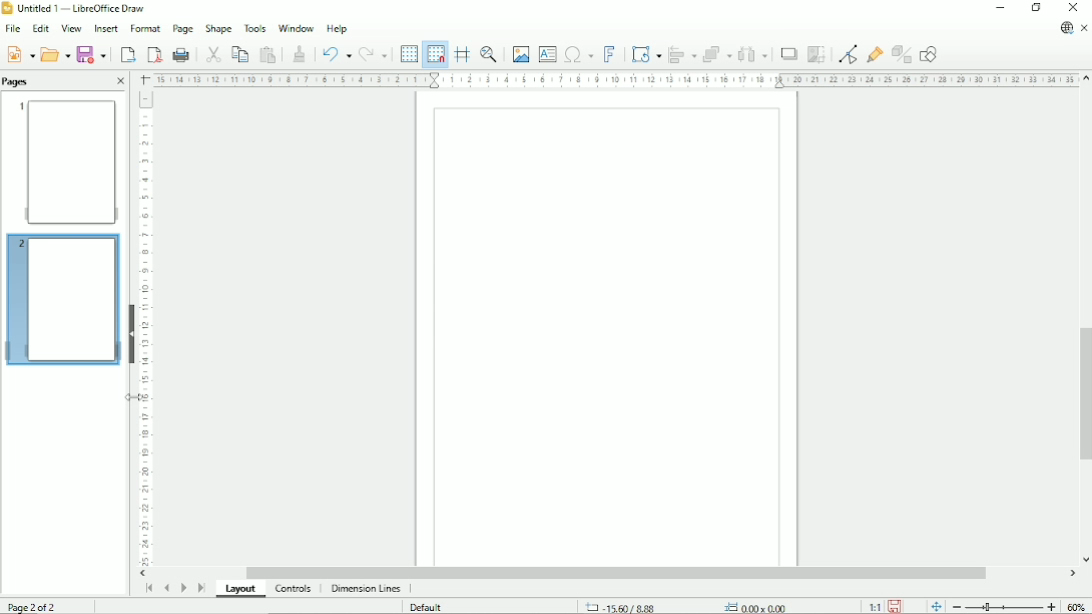 Image resolution: width=1092 pixels, height=614 pixels. I want to click on Export directly as PDF, so click(154, 55).